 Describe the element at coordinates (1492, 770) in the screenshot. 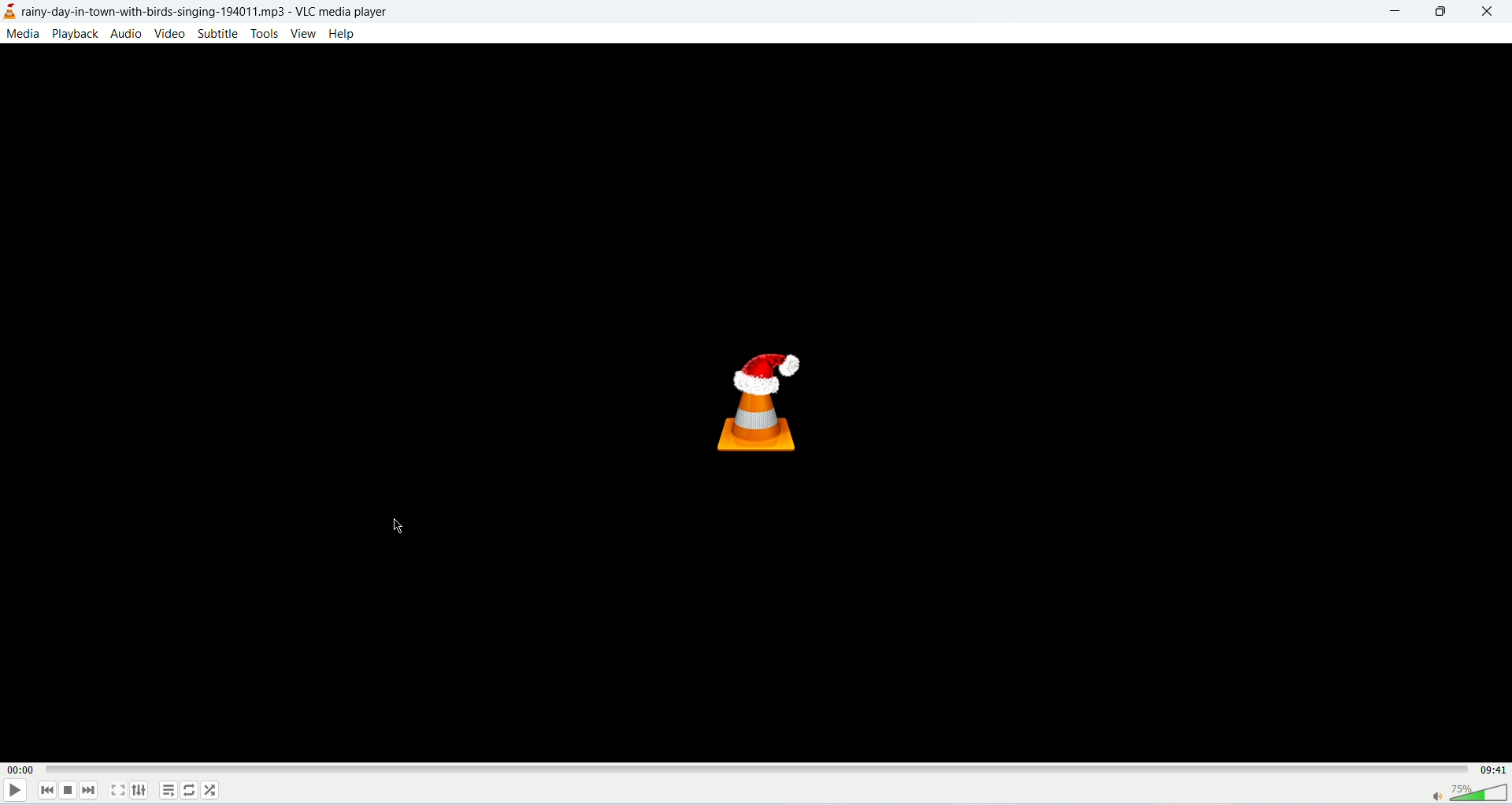

I see `total time` at that location.